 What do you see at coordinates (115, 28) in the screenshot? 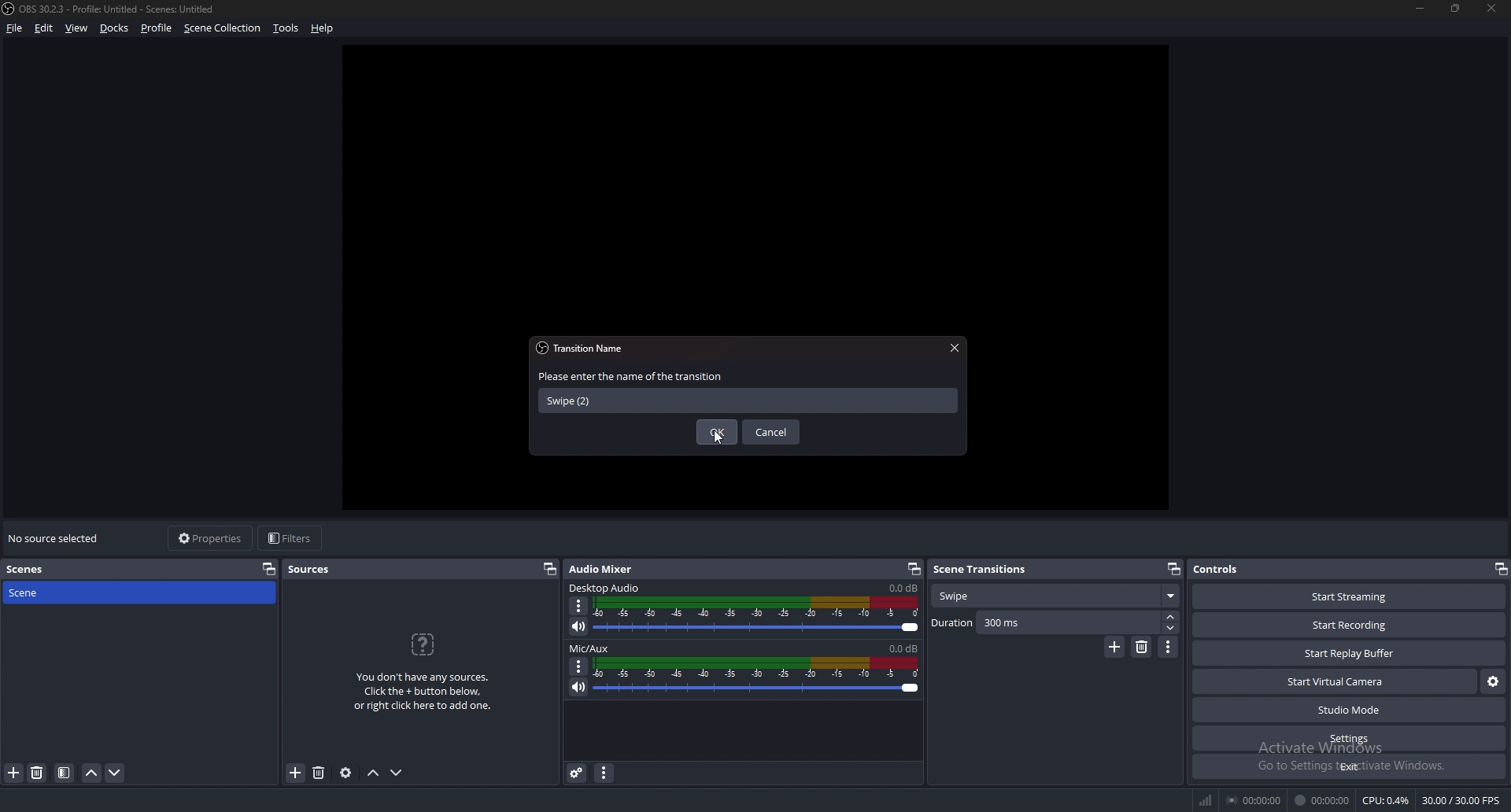
I see `docks` at bounding box center [115, 28].